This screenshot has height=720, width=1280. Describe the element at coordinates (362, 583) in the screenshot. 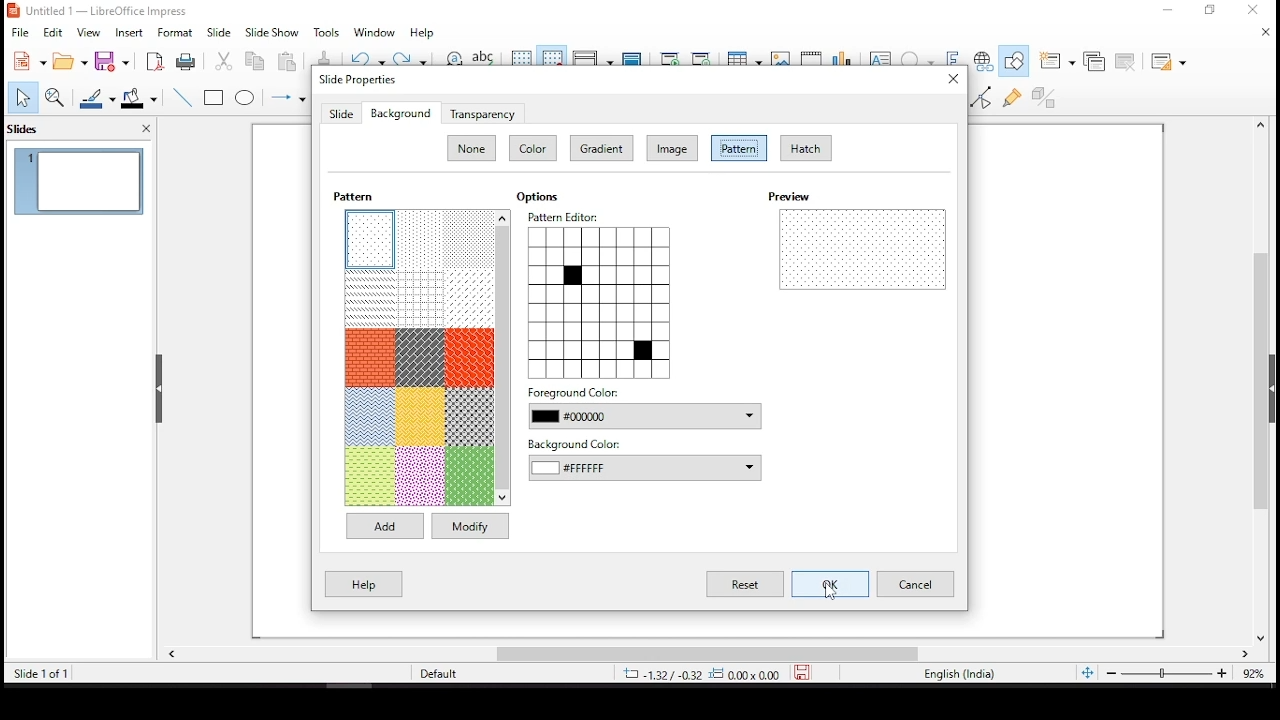

I see `help` at that location.